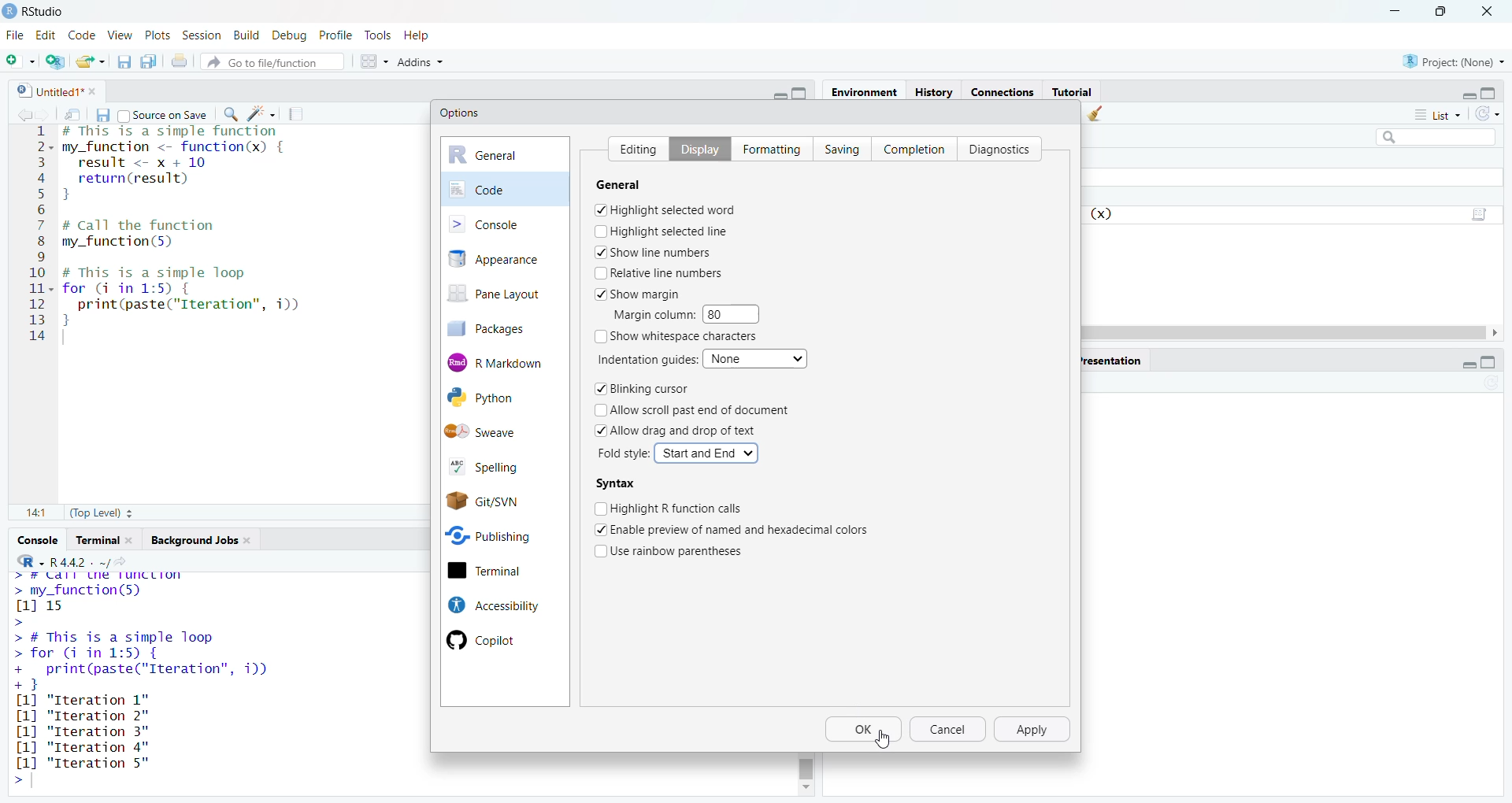 The width and height of the screenshot is (1512, 803). I want to click on go back to previous source location, so click(17, 113).